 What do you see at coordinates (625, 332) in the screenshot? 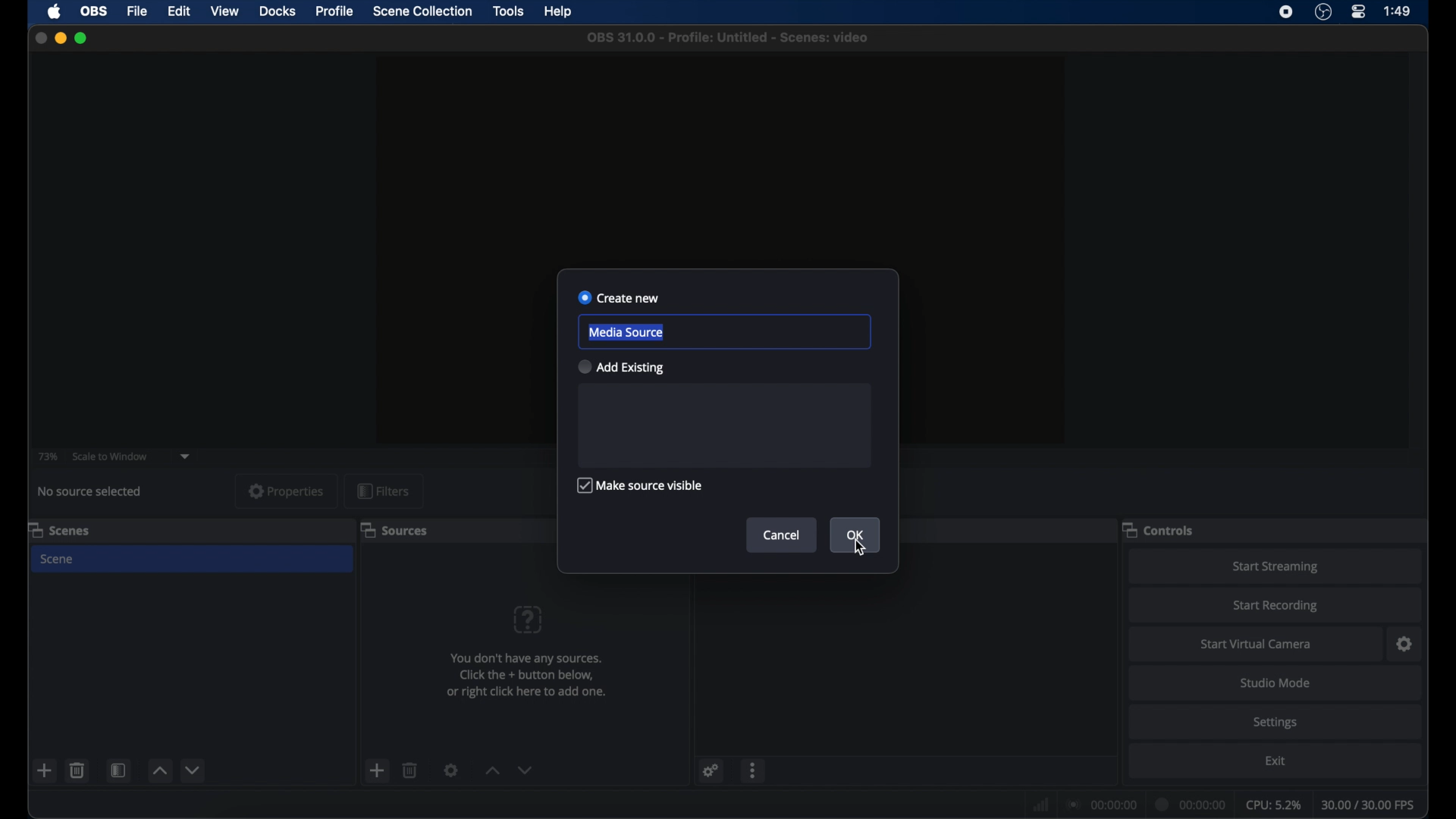
I see `media source` at bounding box center [625, 332].